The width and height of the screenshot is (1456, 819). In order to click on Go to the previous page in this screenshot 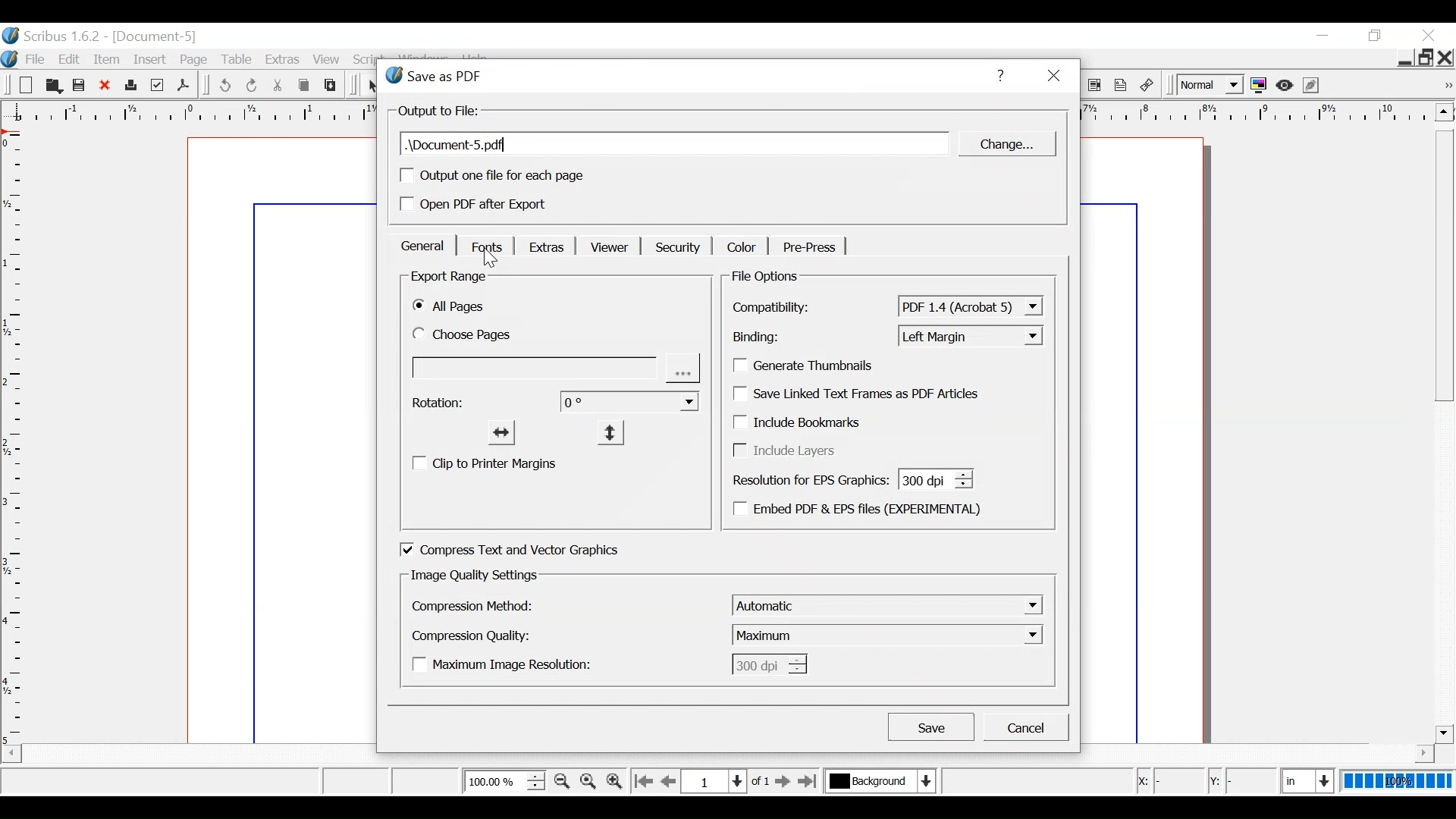, I will do `click(670, 781)`.